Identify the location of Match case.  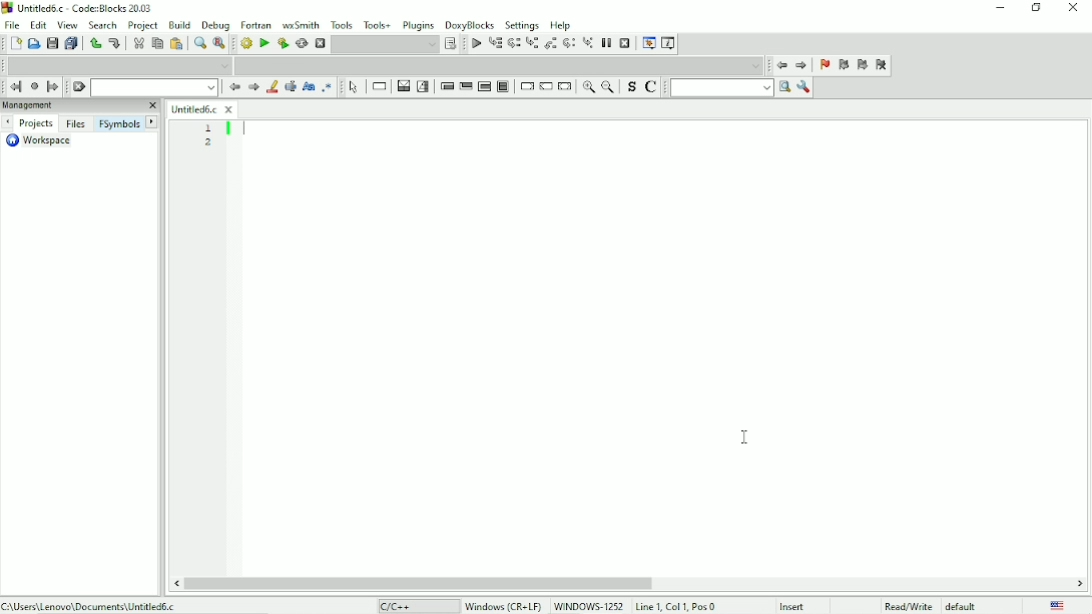
(308, 87).